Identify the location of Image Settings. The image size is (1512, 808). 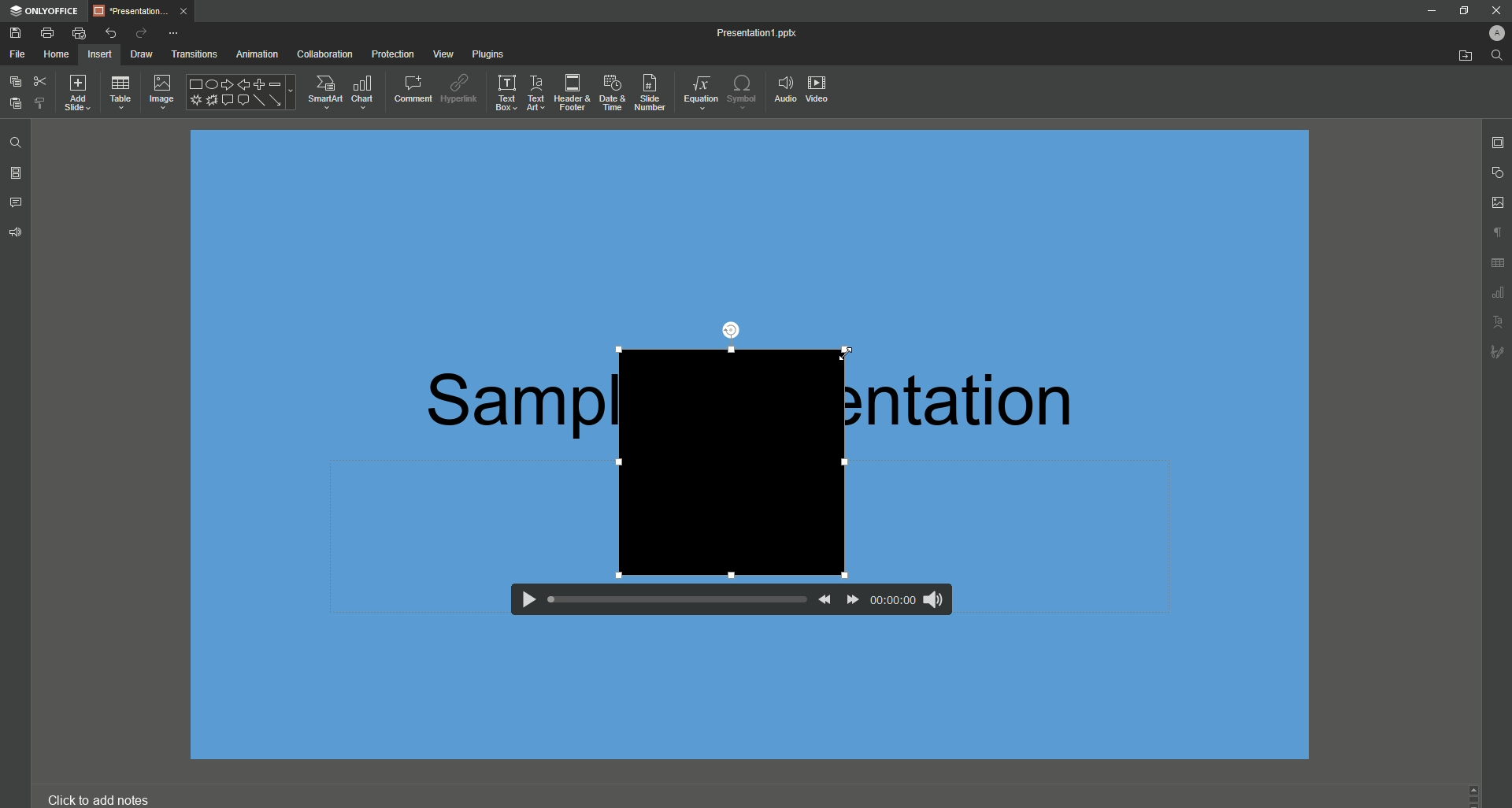
(1498, 203).